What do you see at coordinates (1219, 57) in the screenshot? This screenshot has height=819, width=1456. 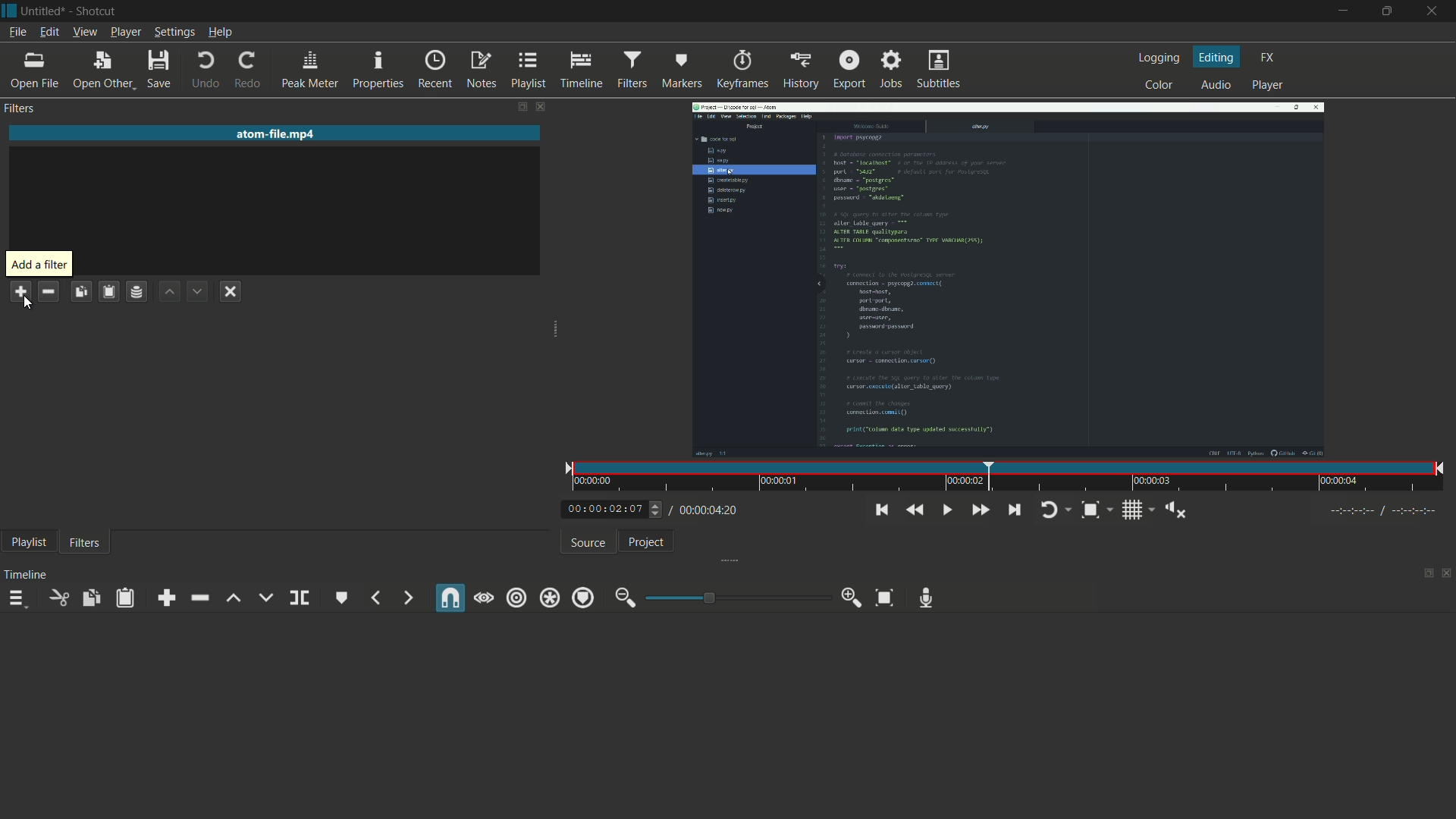 I see `editing` at bounding box center [1219, 57].